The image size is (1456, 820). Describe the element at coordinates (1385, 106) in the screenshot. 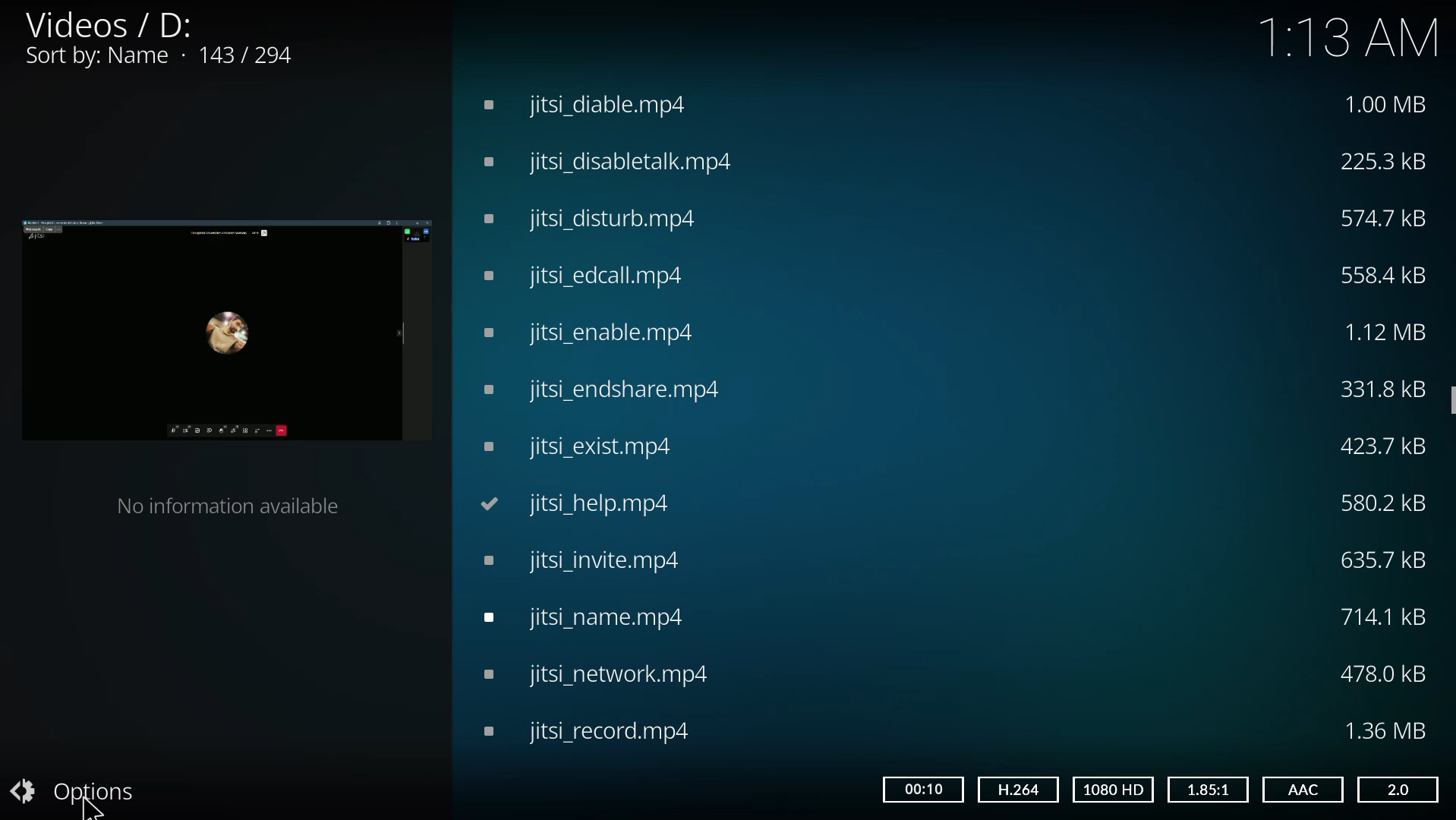

I see `size` at that location.